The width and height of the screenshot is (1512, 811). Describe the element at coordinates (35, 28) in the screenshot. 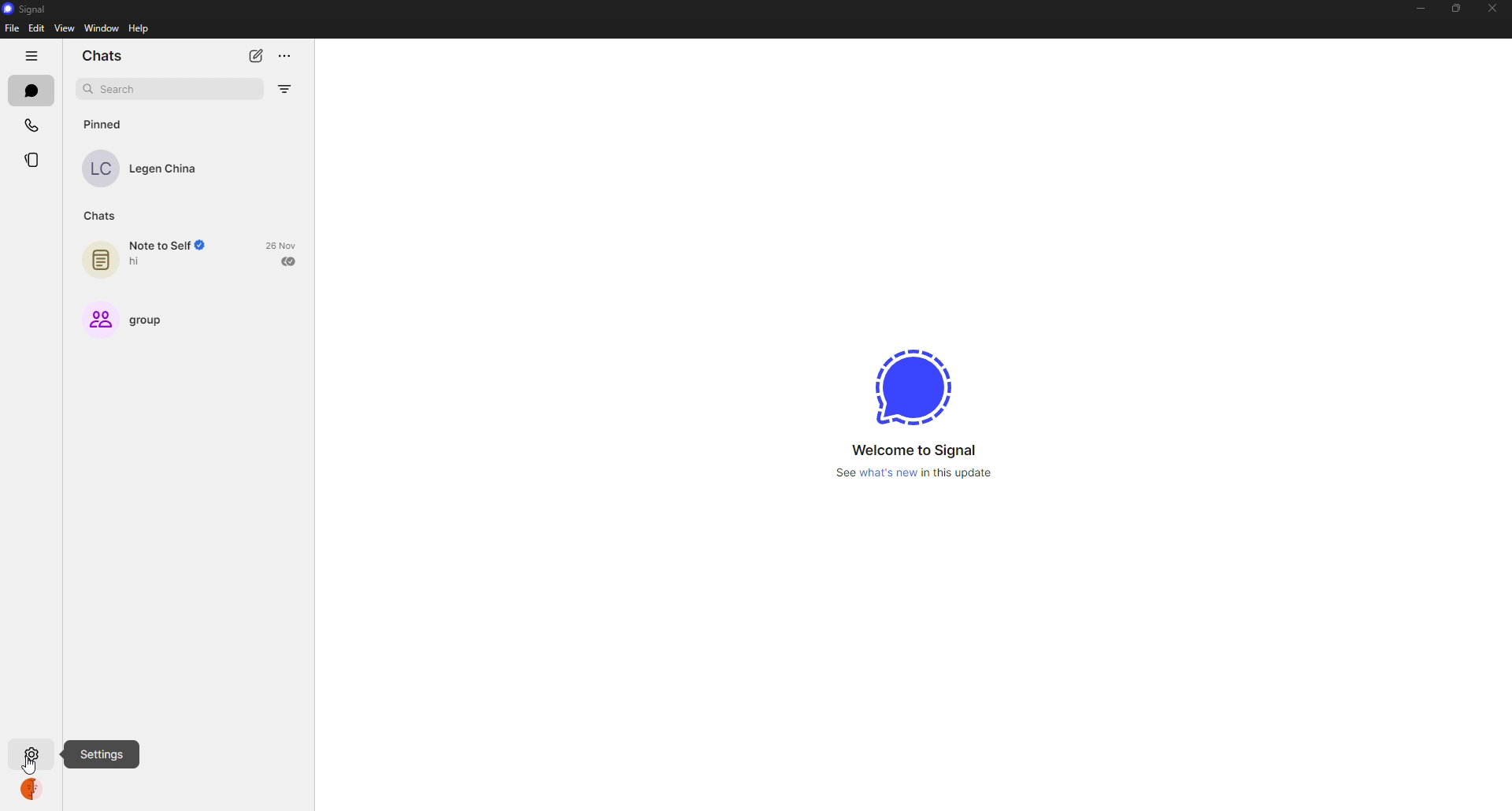

I see `edit` at that location.